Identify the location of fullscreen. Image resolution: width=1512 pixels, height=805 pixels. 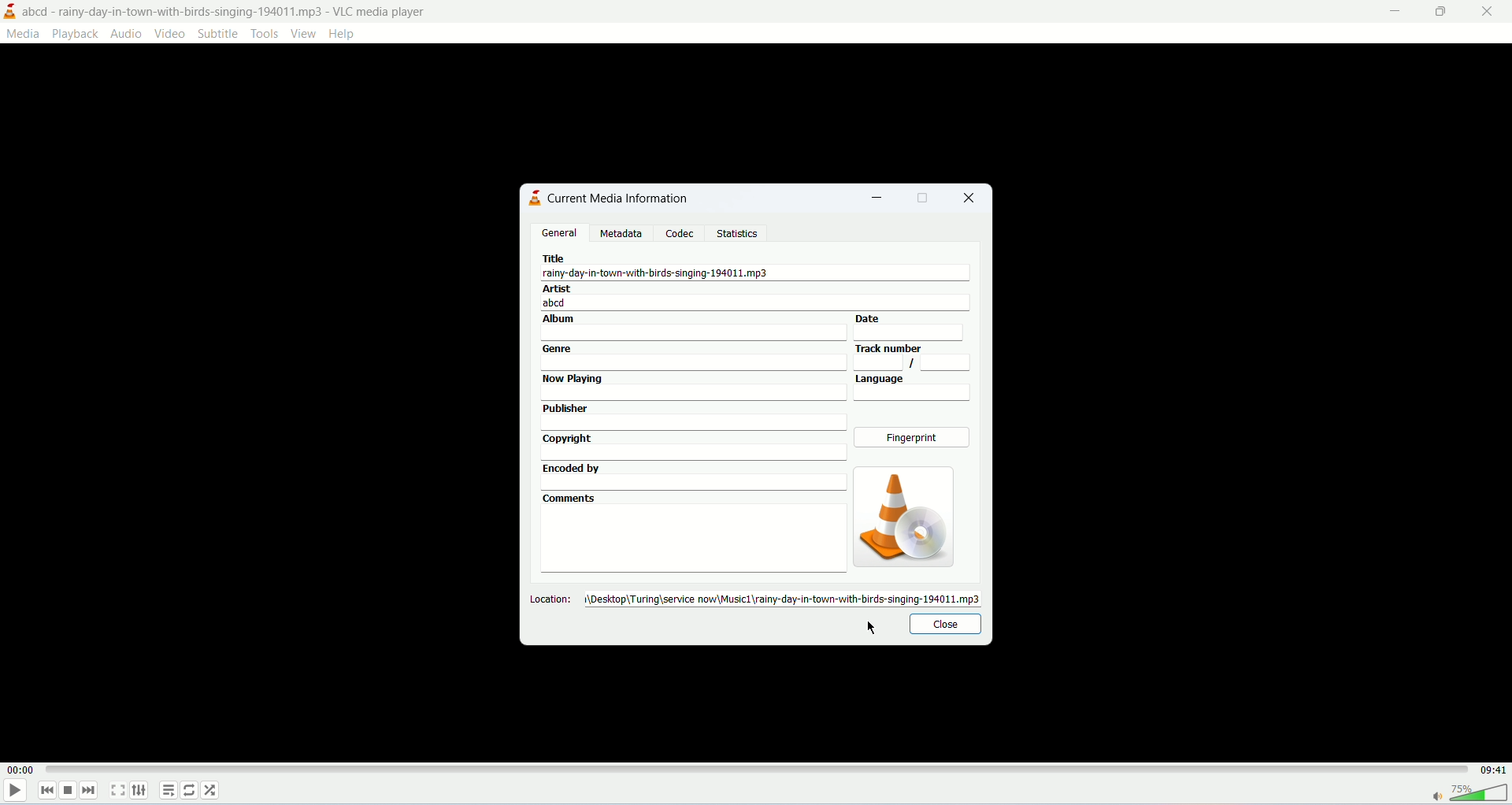
(117, 788).